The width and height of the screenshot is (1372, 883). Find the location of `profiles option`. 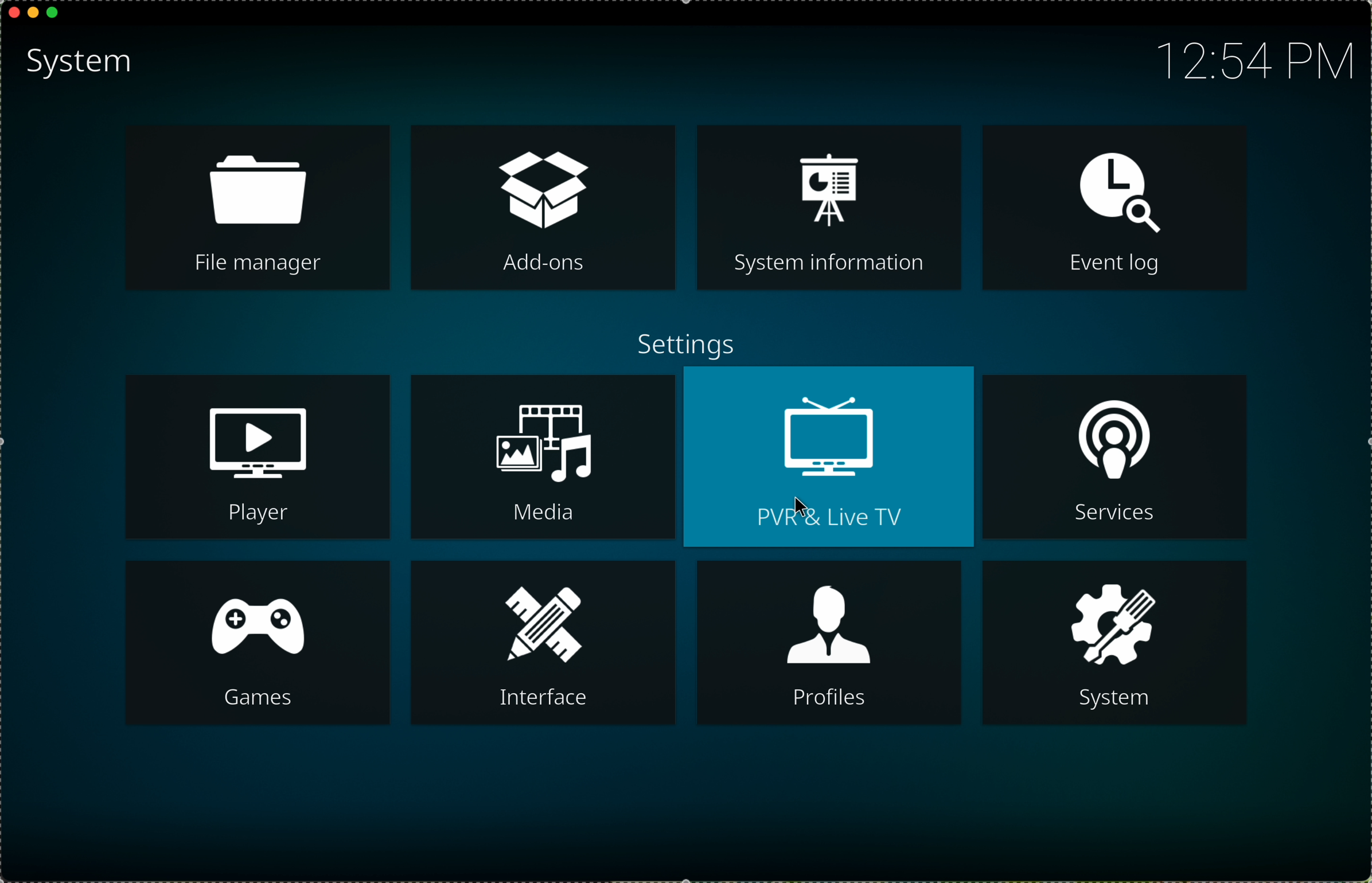

profiles option is located at coordinates (831, 643).